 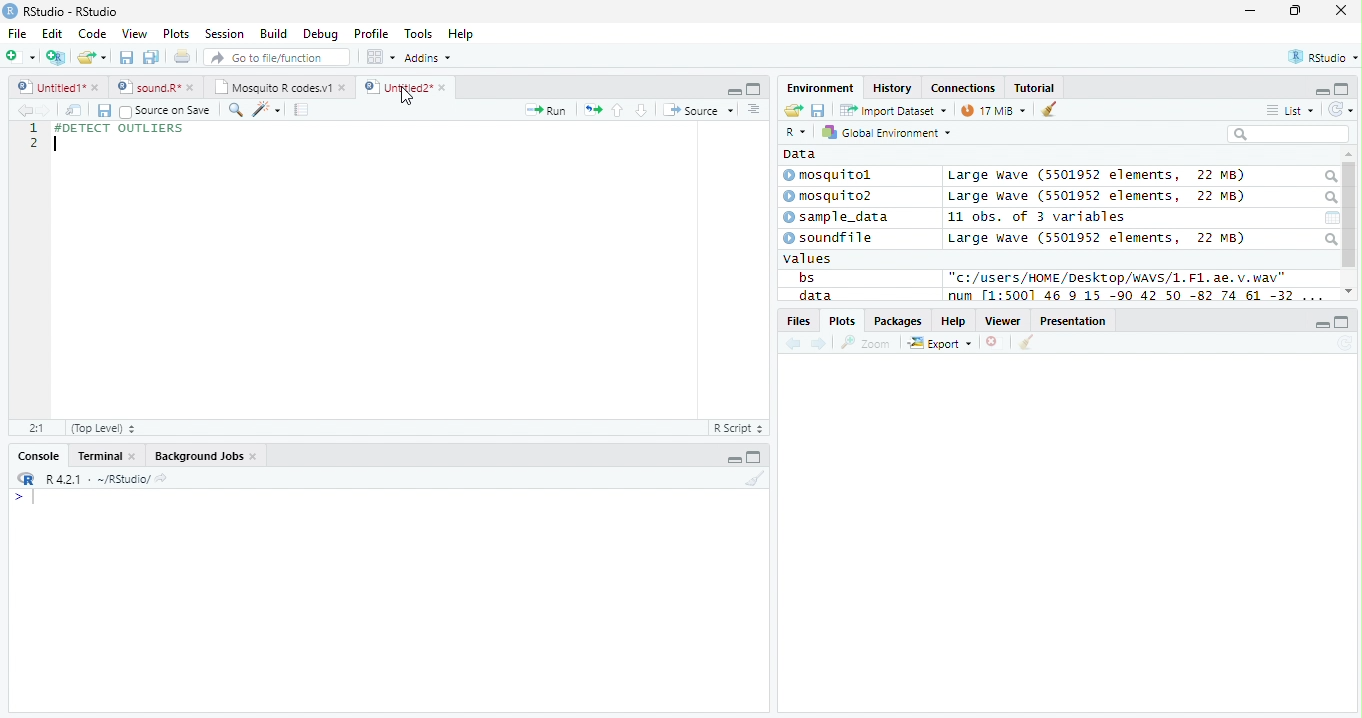 I want to click on Files, so click(x=797, y=321).